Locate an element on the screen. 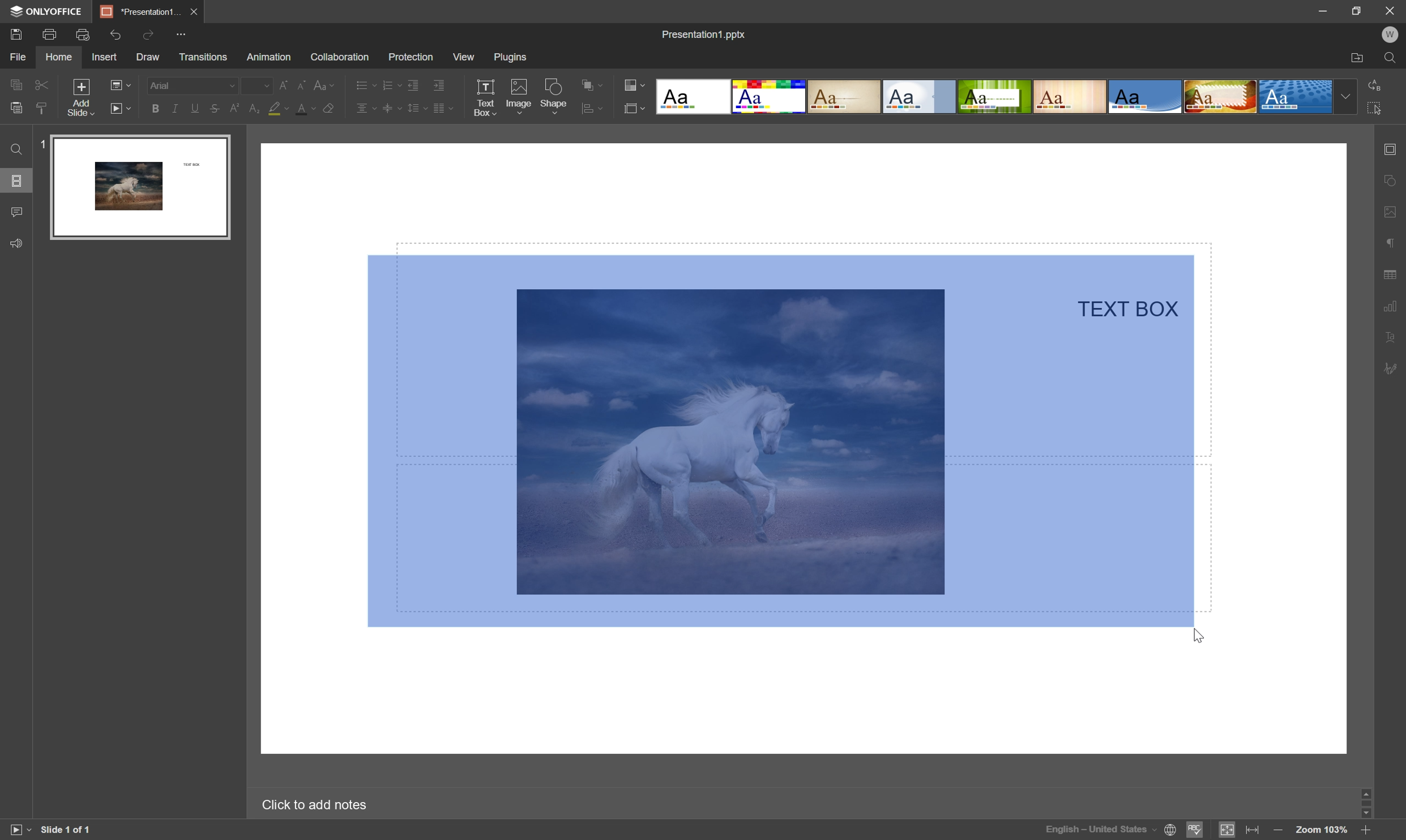 This screenshot has height=840, width=1406. select all is located at coordinates (1377, 108).